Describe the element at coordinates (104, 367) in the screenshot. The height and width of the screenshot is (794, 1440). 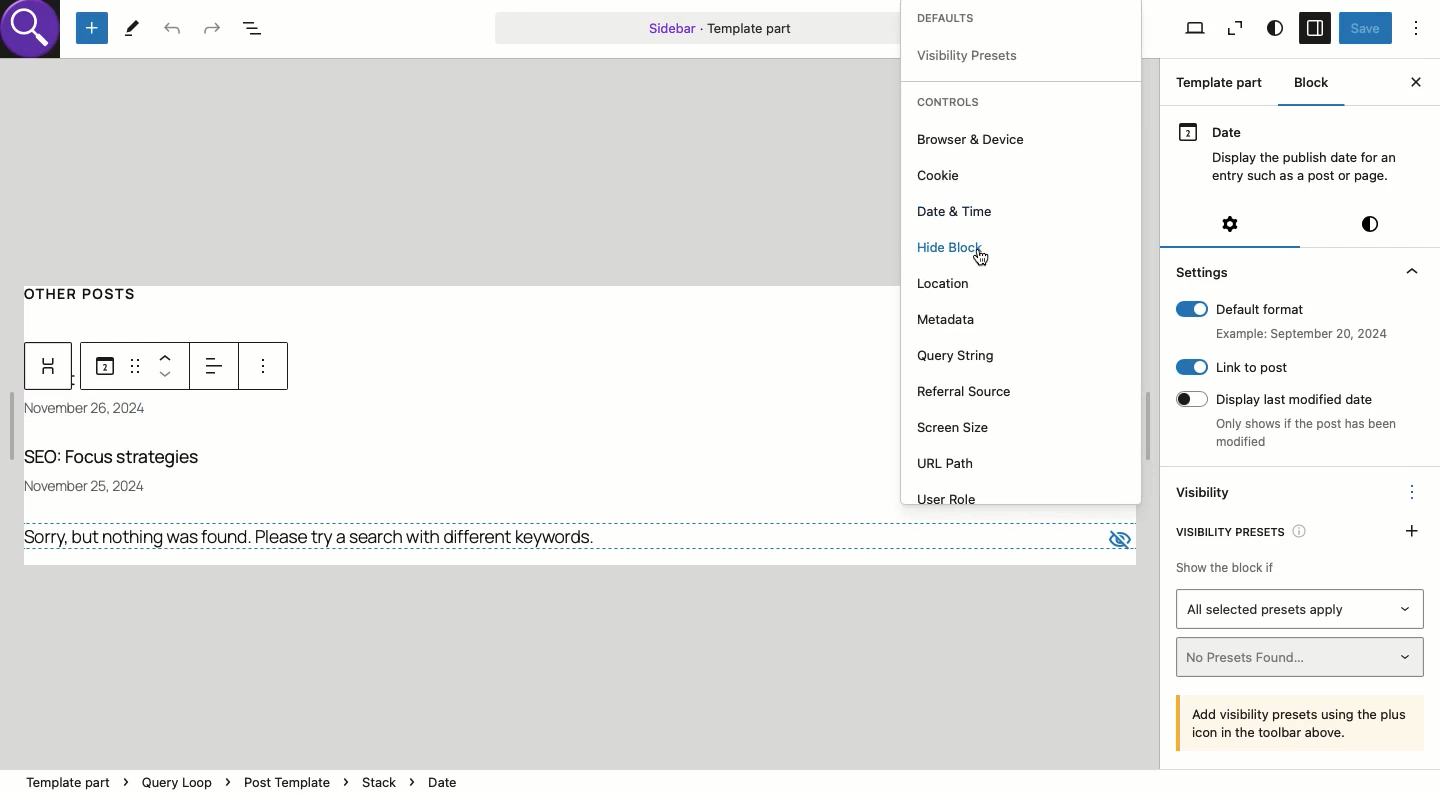
I see `Date` at that location.